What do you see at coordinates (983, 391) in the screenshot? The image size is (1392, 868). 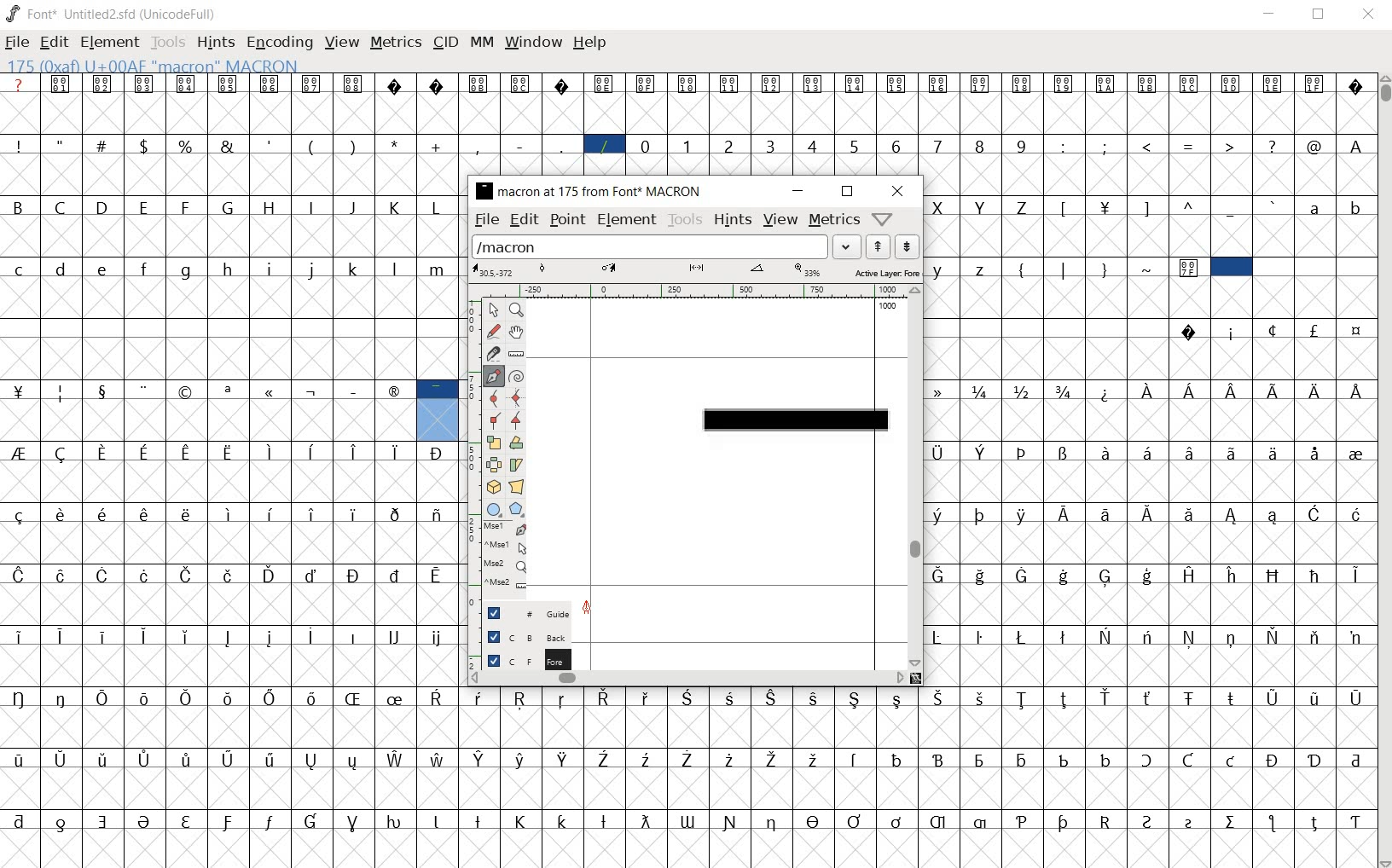 I see `Symbol` at bounding box center [983, 391].